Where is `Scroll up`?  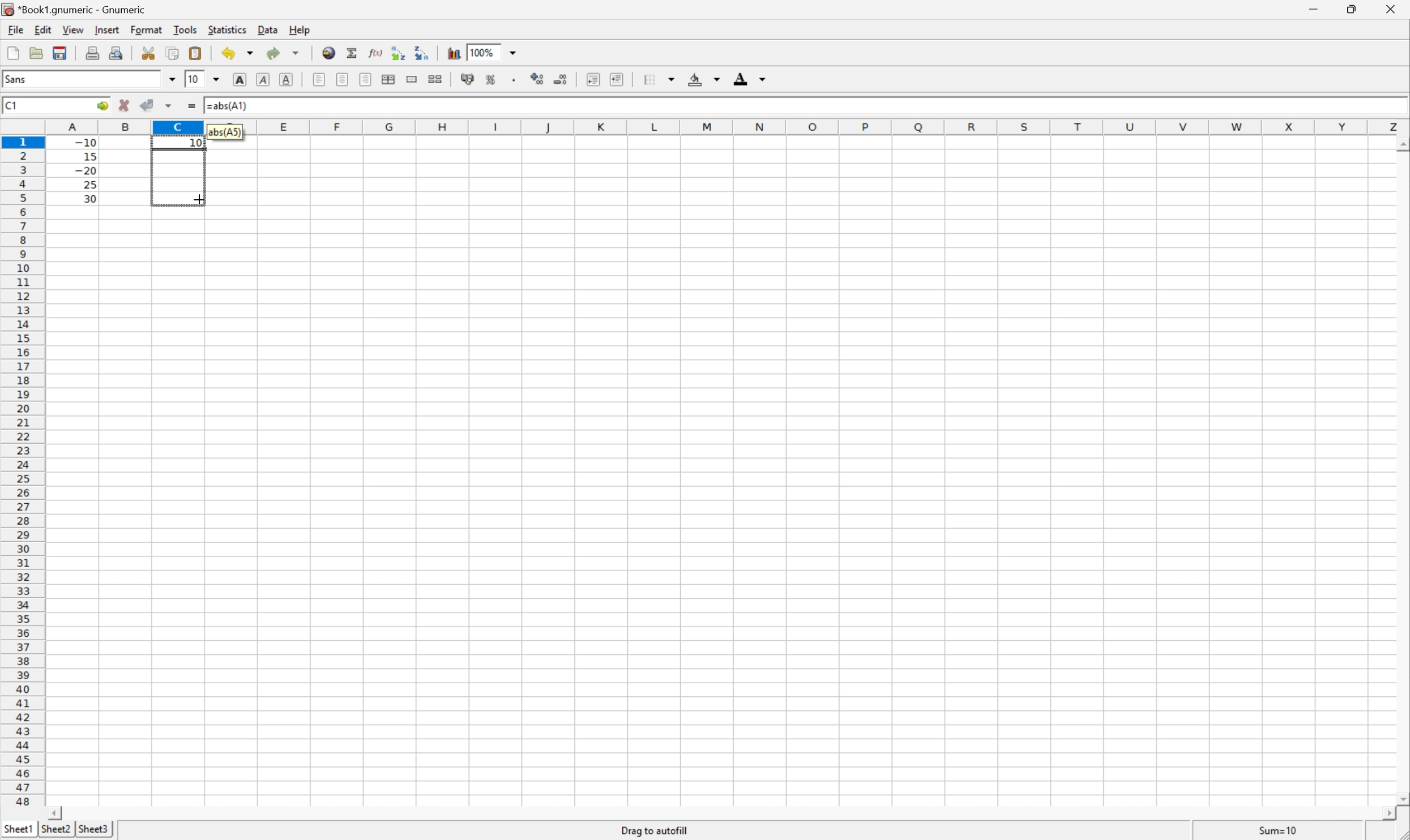
Scroll up is located at coordinates (1401, 144).